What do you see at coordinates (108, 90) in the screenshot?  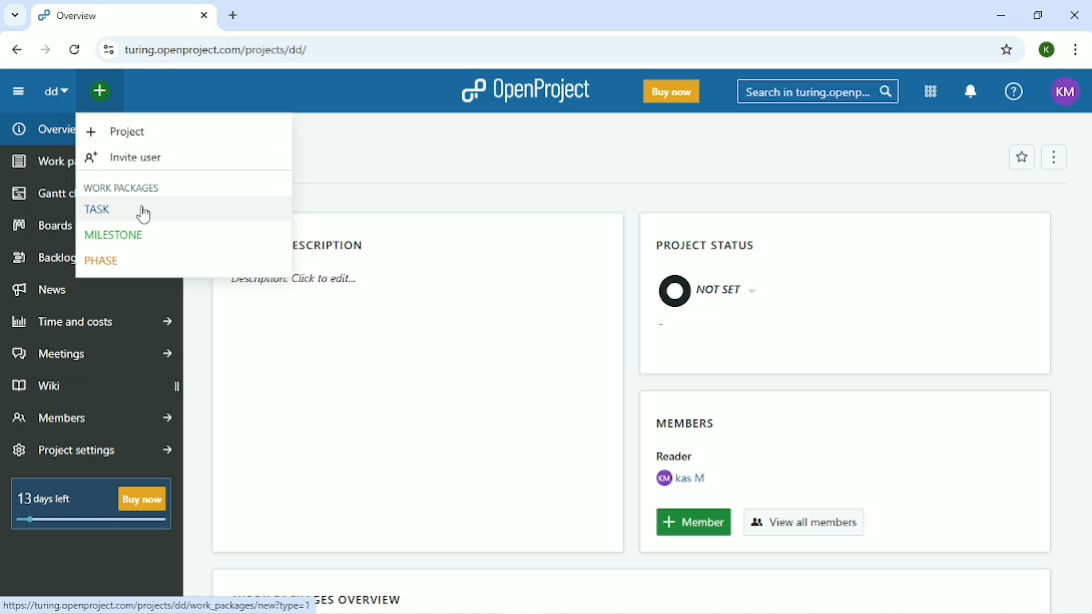 I see `Open quick add menu` at bounding box center [108, 90].